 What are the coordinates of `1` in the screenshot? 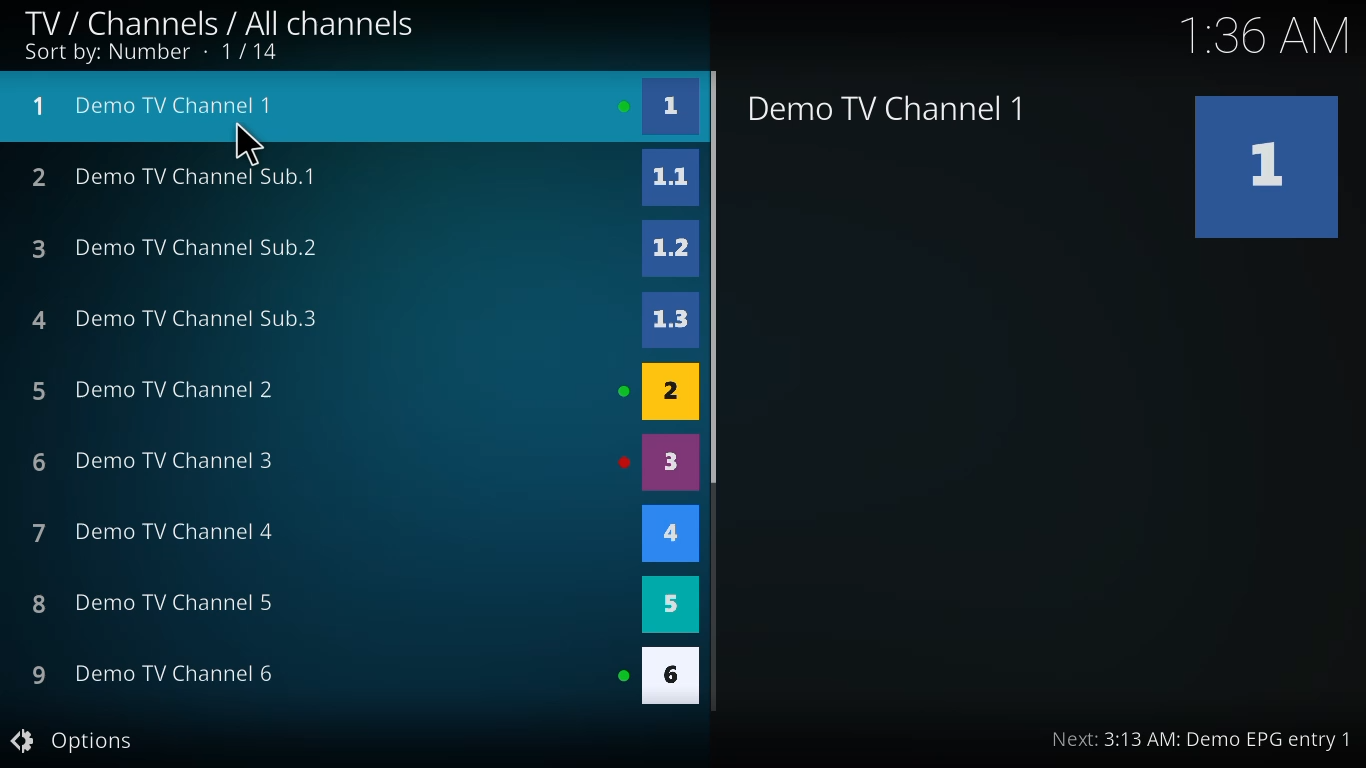 It's located at (673, 108).